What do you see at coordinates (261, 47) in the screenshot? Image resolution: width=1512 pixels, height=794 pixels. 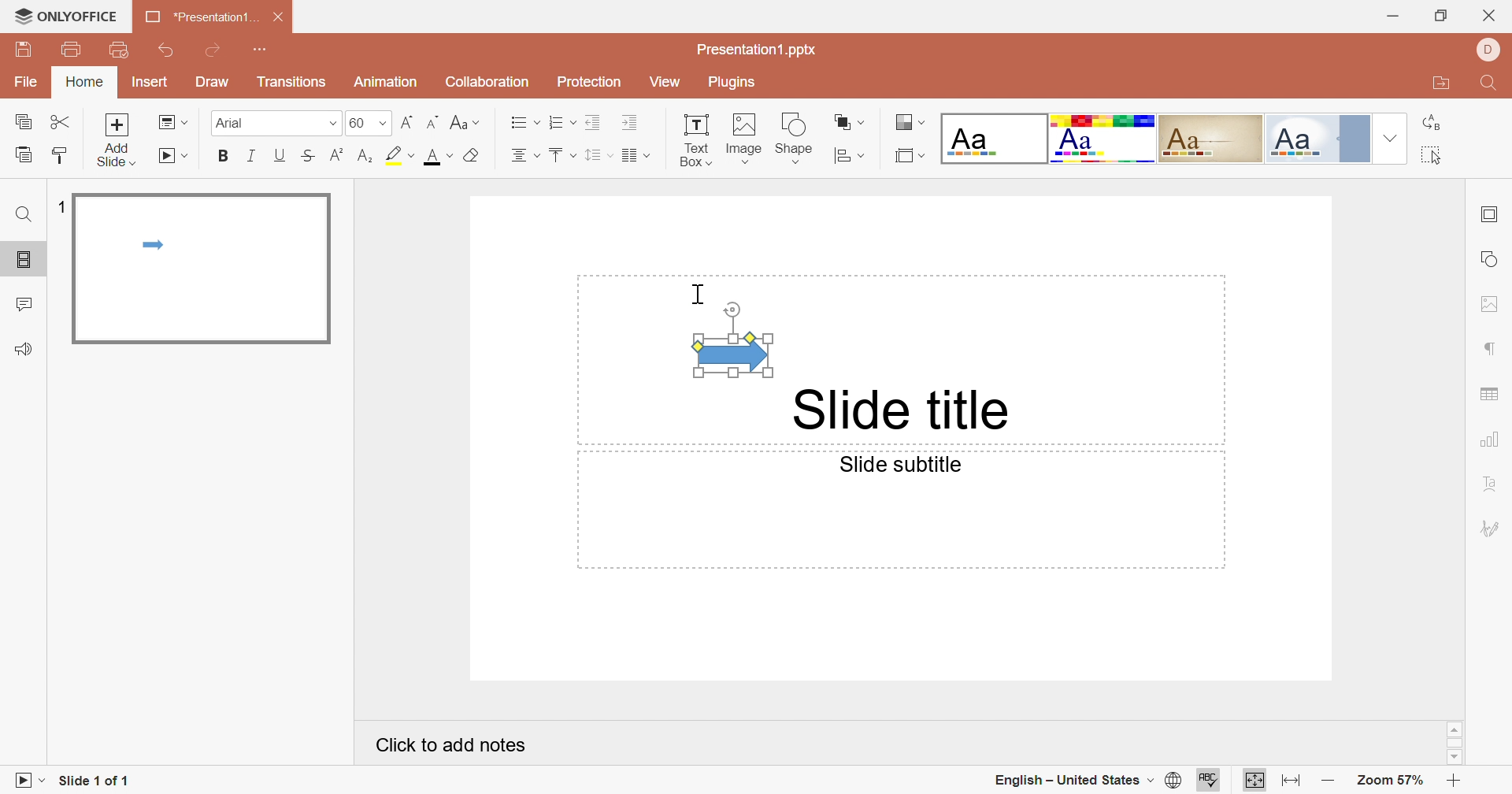 I see `Customize Quick Access Toolbar` at bounding box center [261, 47].